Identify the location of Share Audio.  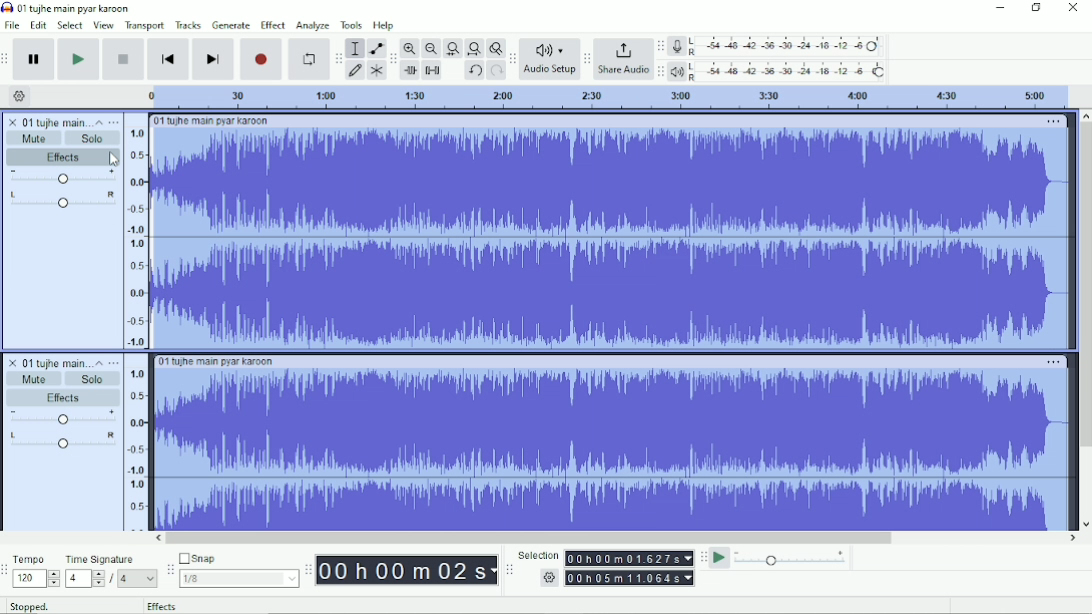
(623, 59).